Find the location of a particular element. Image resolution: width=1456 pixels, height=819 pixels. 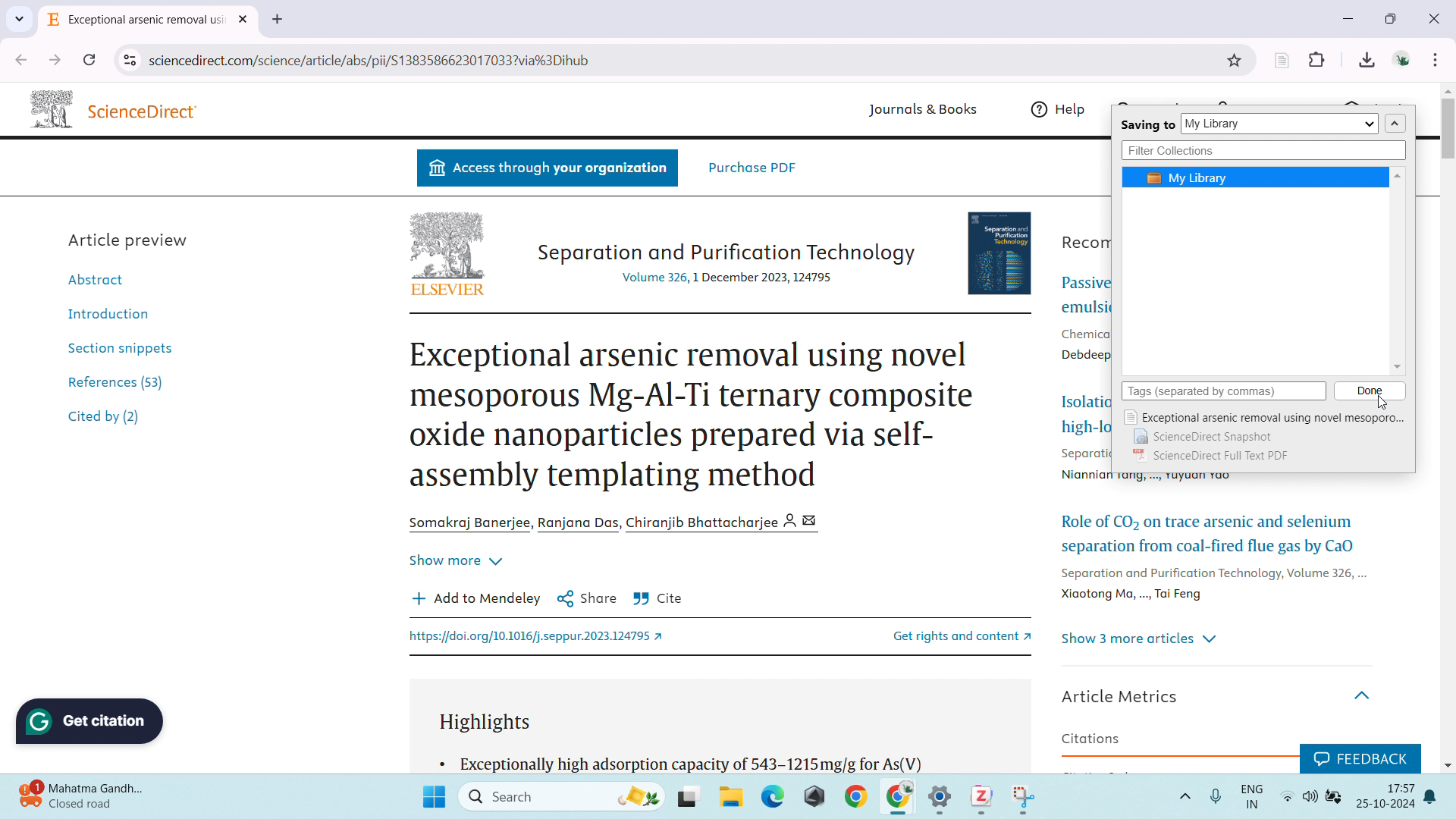

bookmark this tab is located at coordinates (1235, 61).